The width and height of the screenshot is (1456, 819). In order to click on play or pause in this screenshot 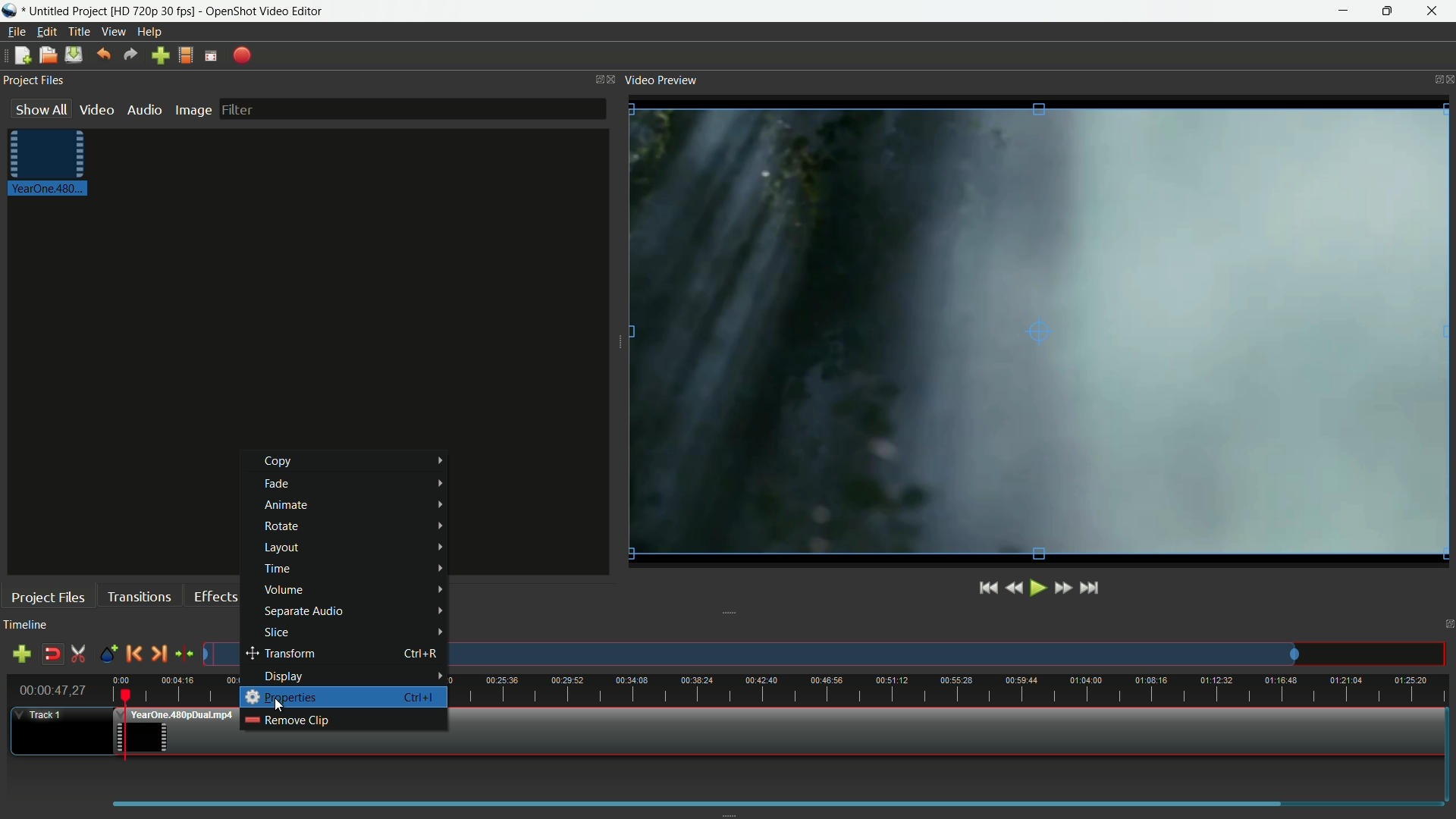, I will do `click(1038, 589)`.